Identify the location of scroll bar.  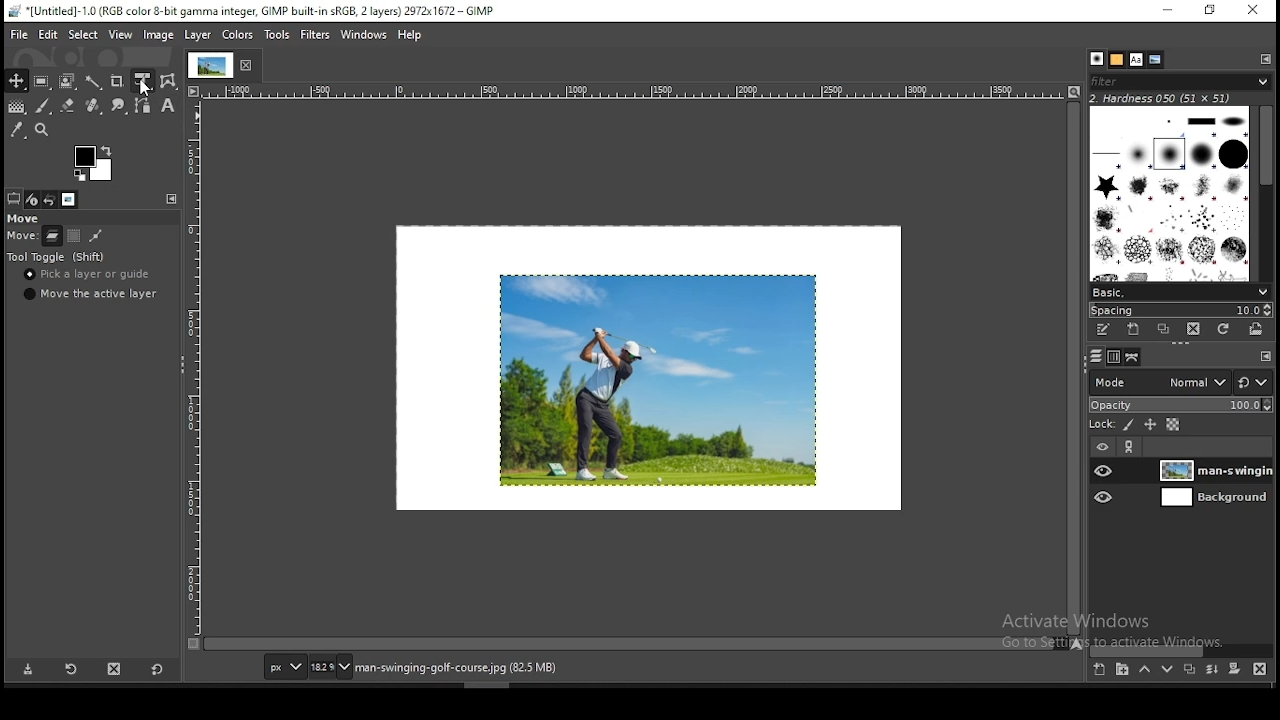
(1183, 648).